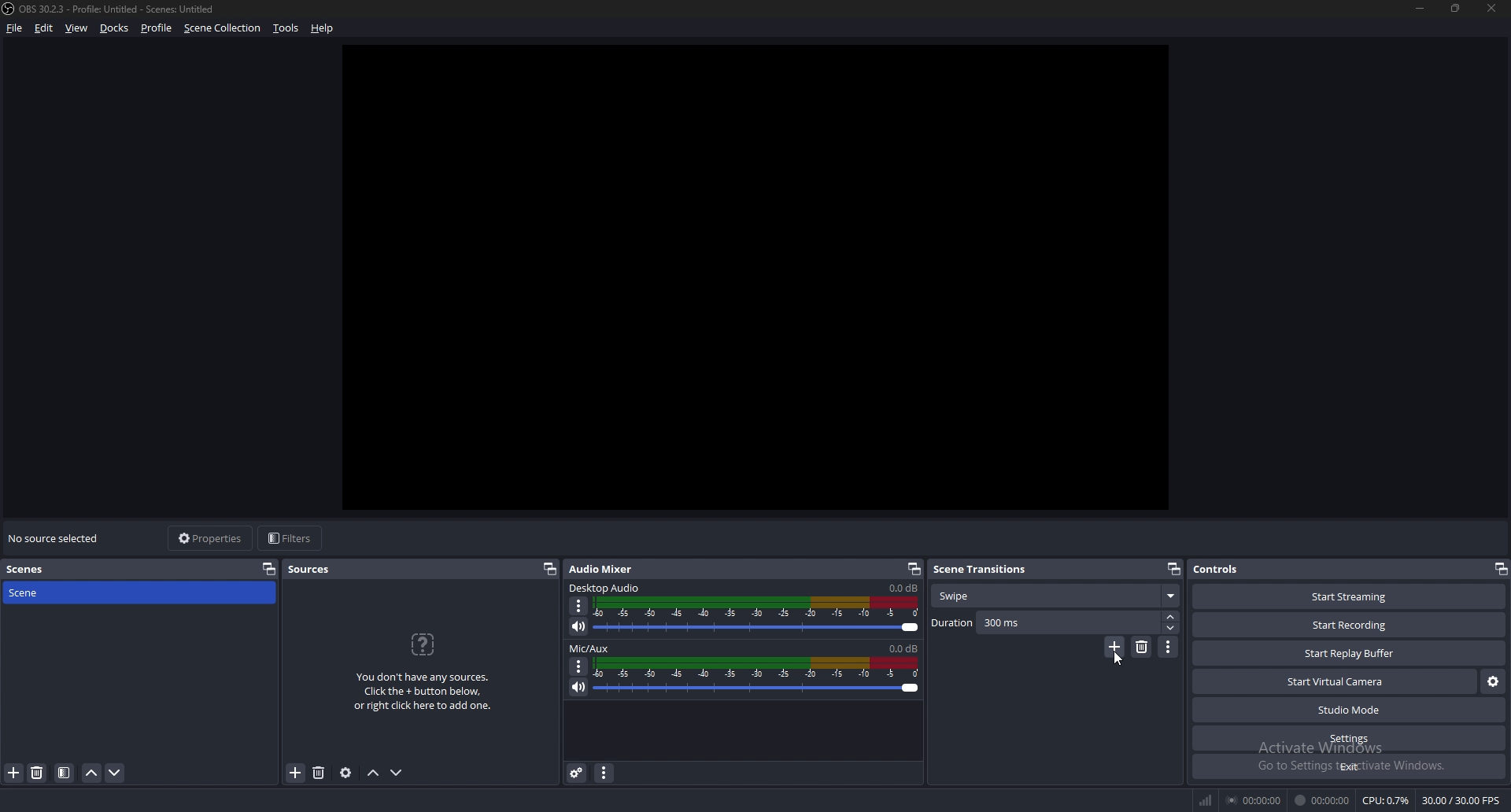 This screenshot has height=812, width=1511. I want to click on options, so click(579, 666).